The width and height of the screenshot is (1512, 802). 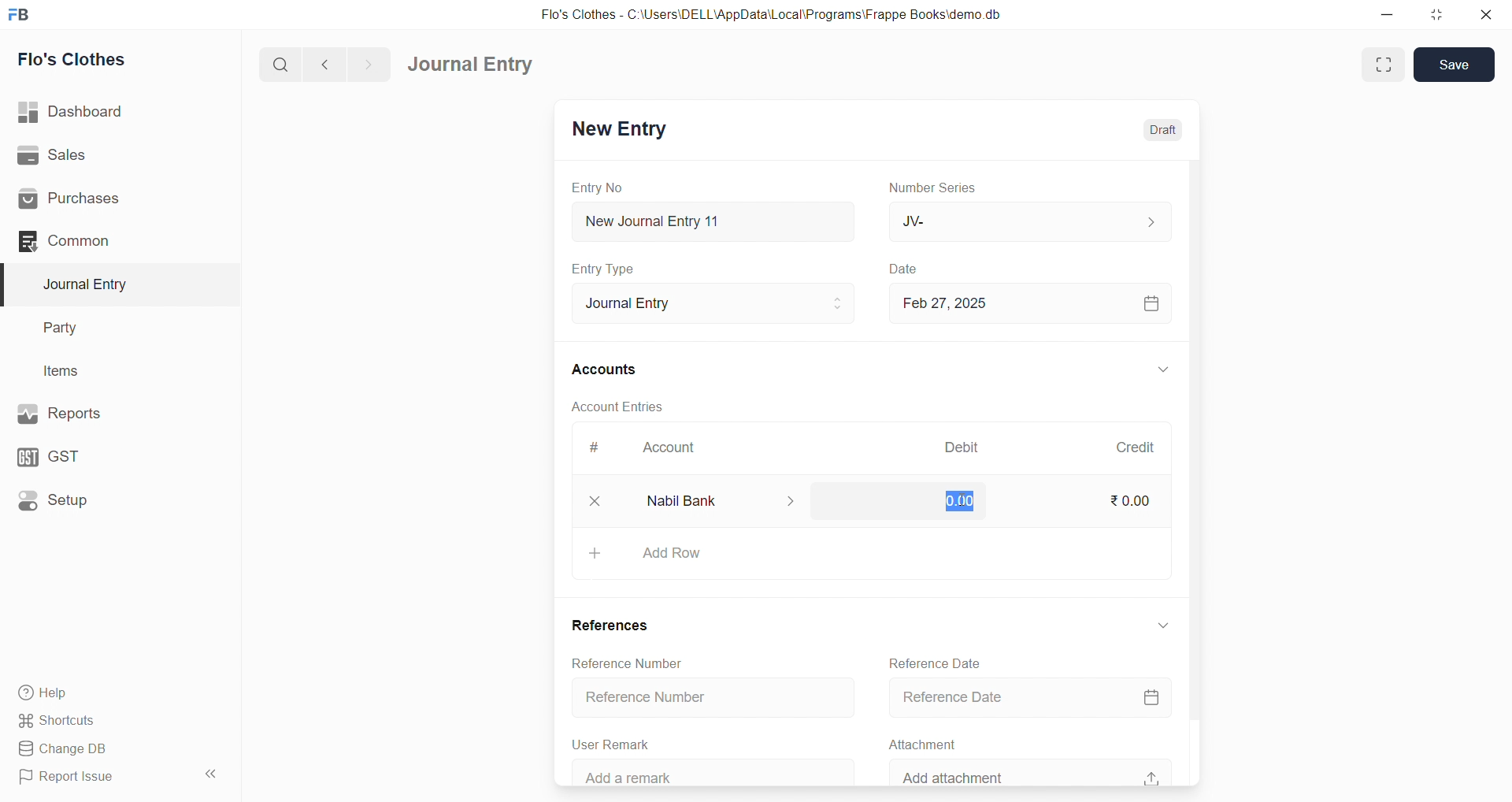 I want to click on Party, so click(x=70, y=326).